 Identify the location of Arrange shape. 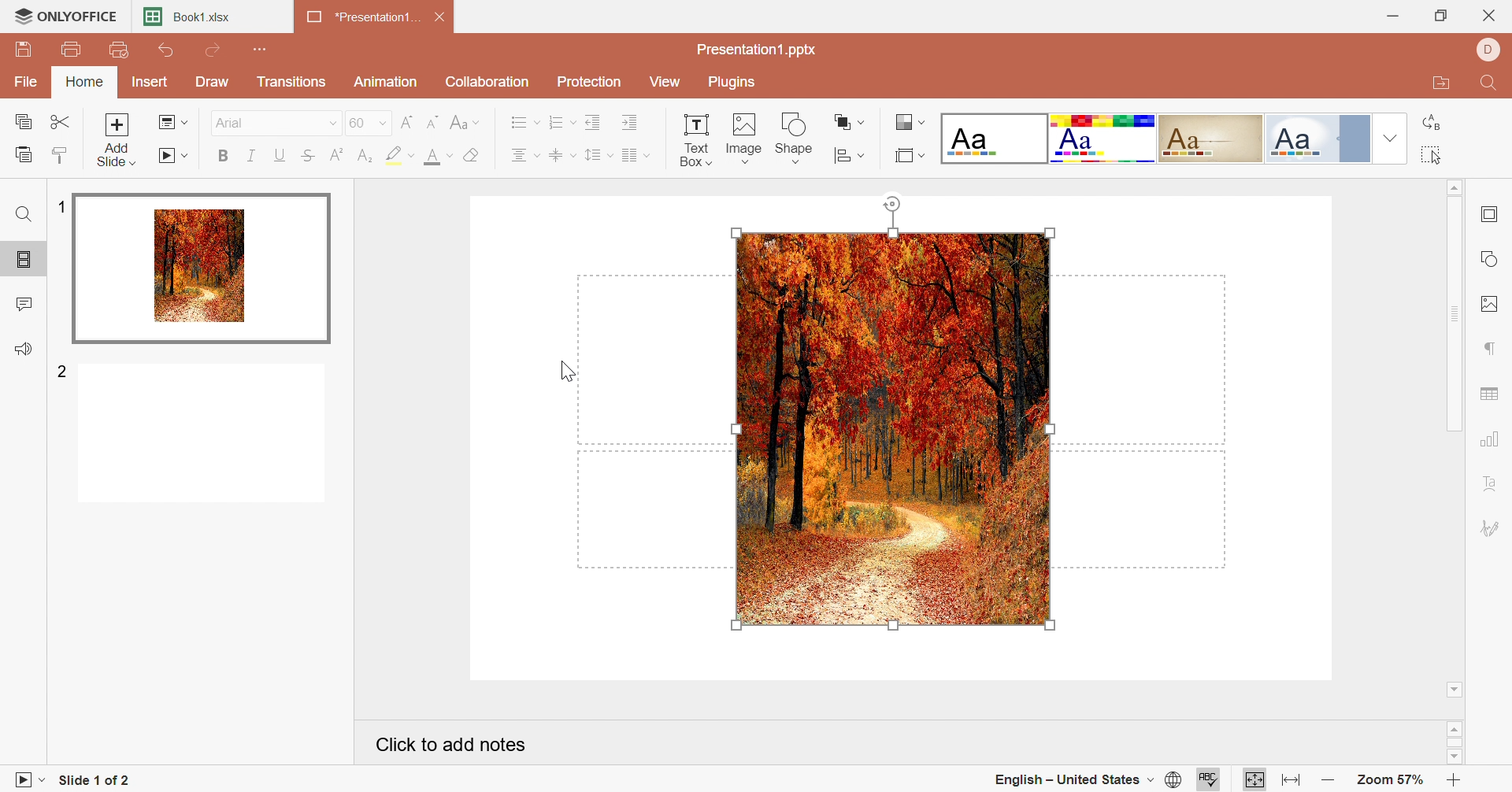
(850, 152).